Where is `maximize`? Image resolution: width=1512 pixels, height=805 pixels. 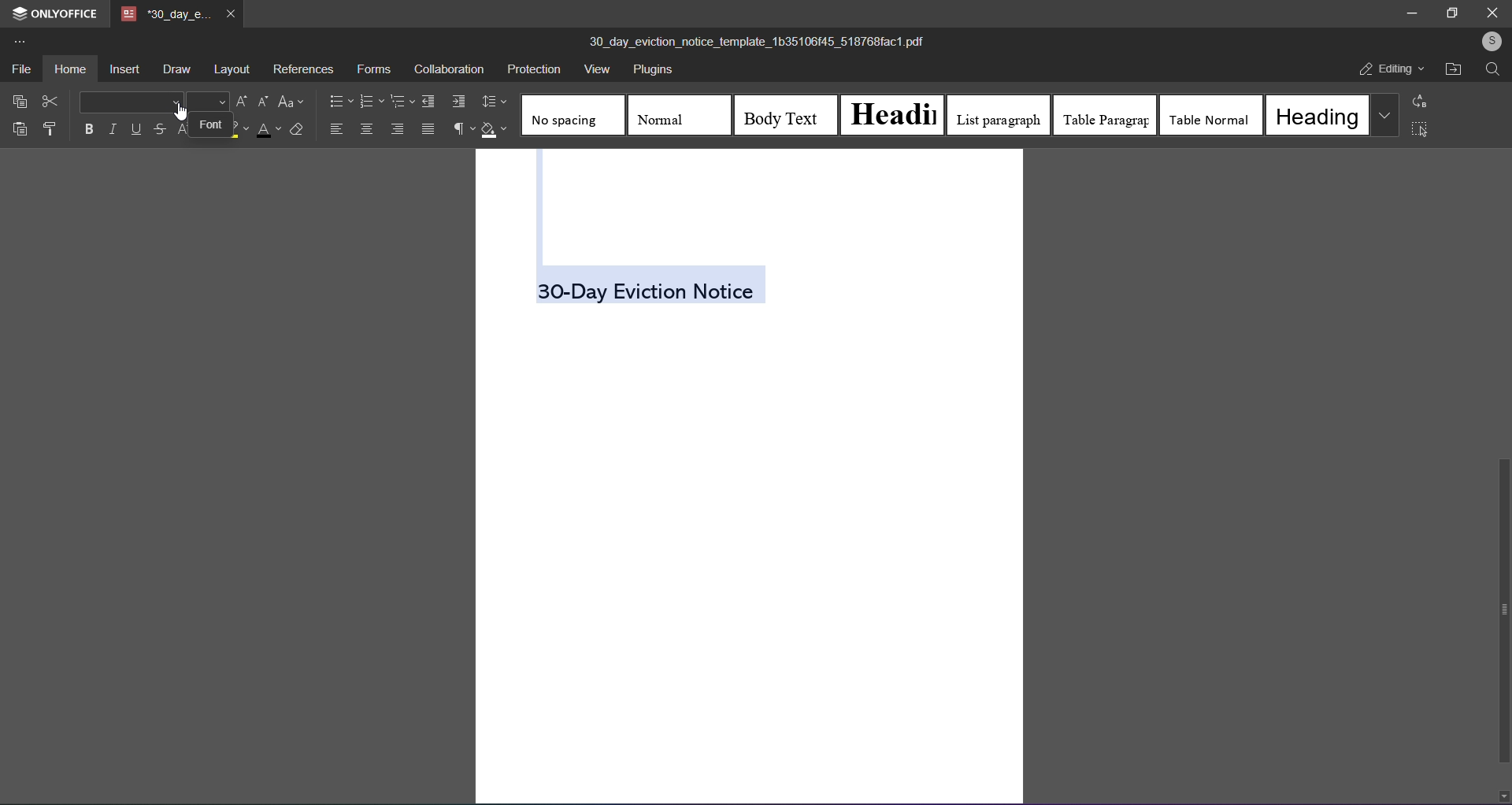 maximize is located at coordinates (1451, 15).